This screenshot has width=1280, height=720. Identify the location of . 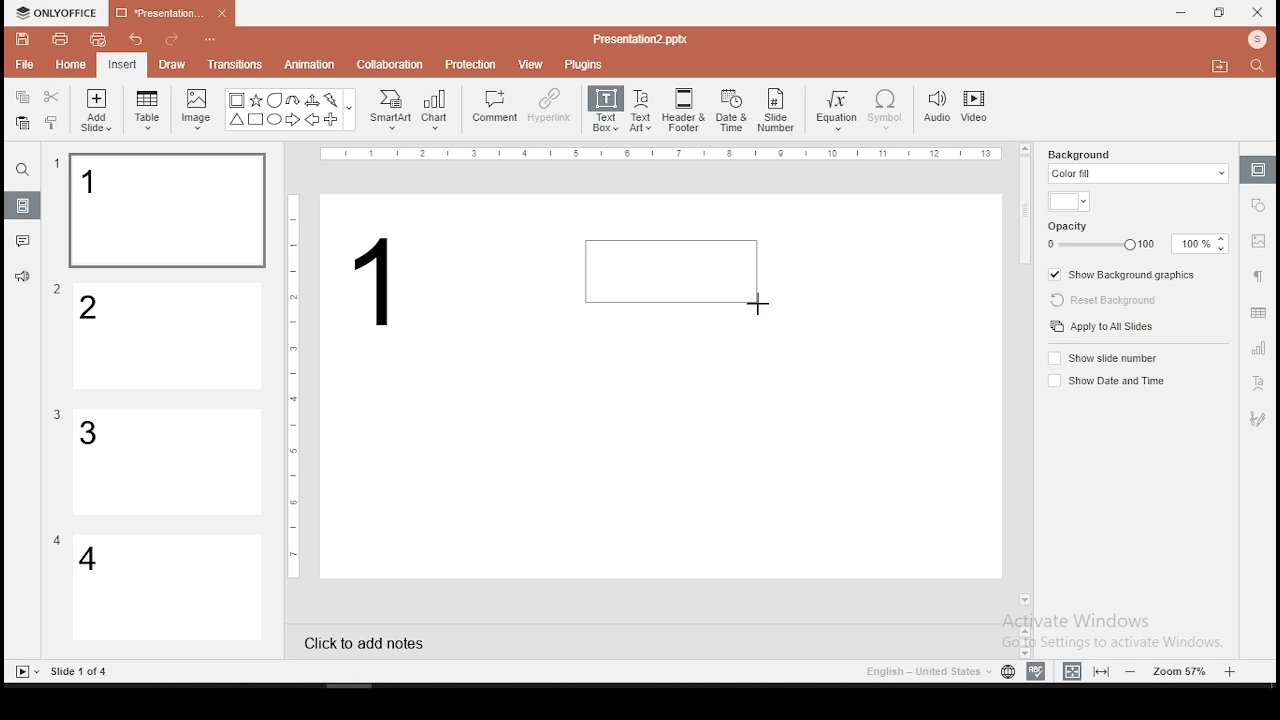
(57, 415).